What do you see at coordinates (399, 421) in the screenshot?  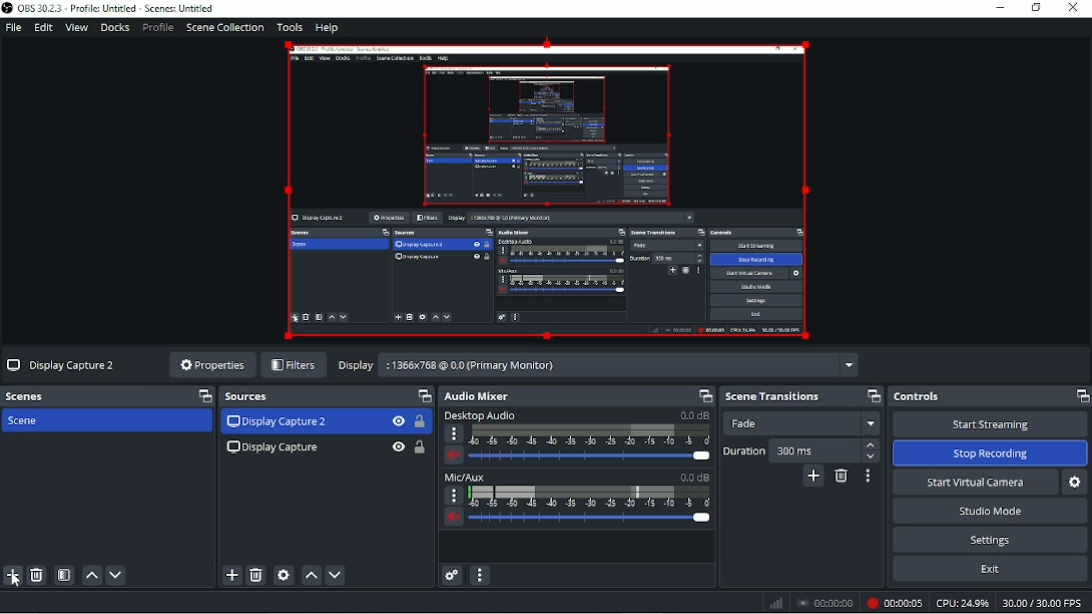 I see `Hide` at bounding box center [399, 421].